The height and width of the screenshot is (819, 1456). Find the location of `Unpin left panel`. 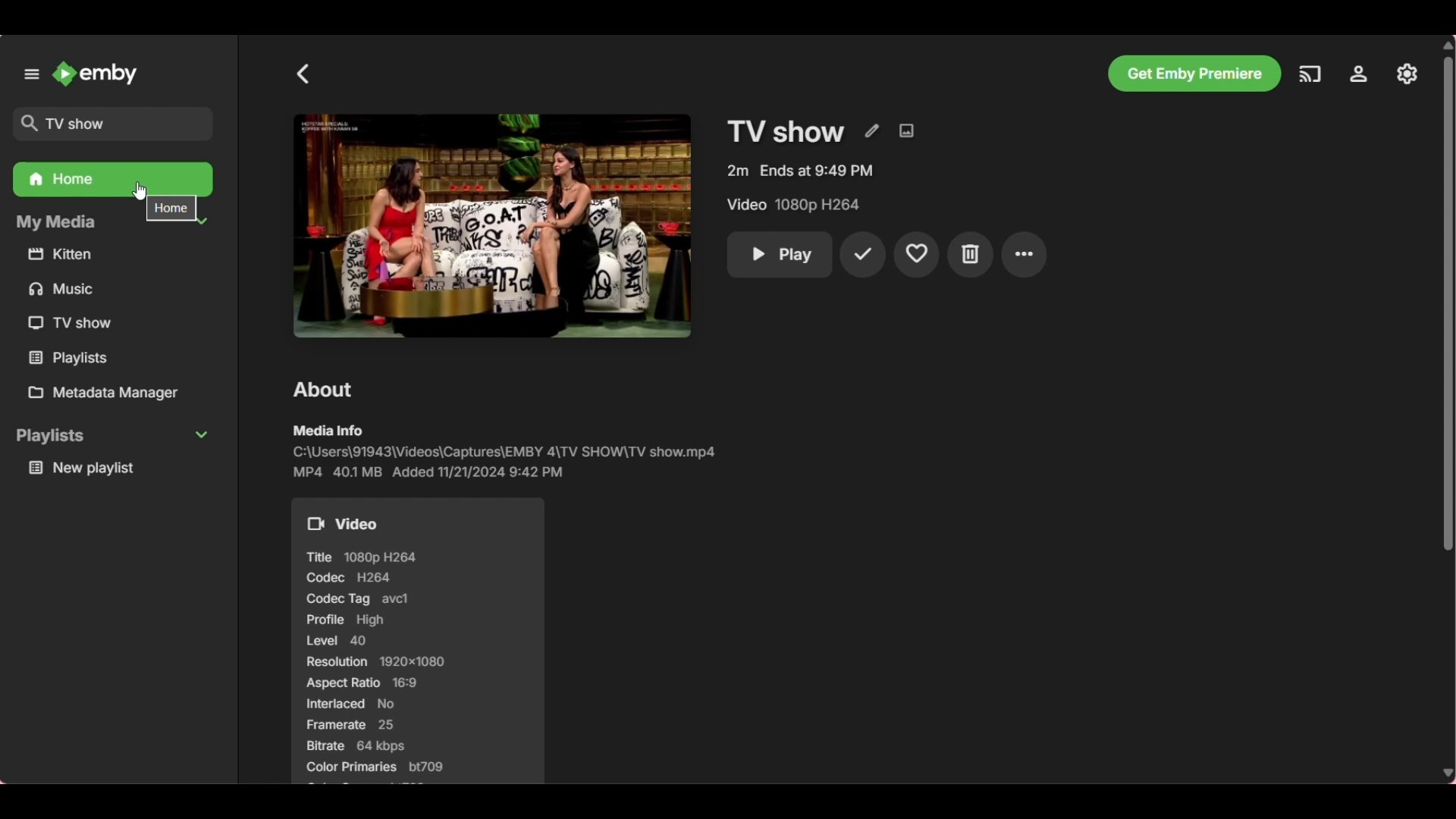

Unpin left panel is located at coordinates (30, 73).